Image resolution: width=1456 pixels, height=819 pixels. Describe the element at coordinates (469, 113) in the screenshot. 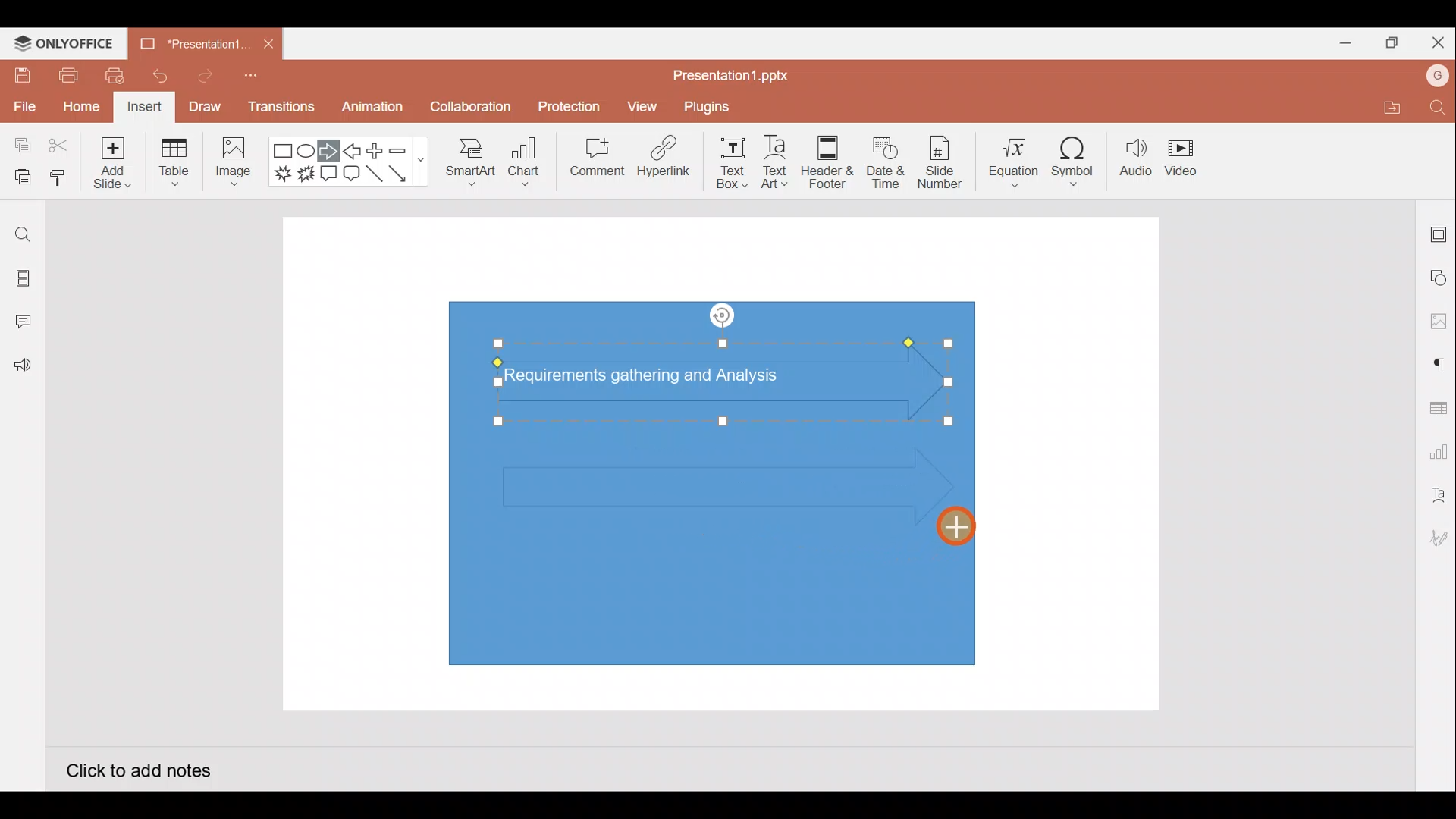

I see `Collaboration` at that location.